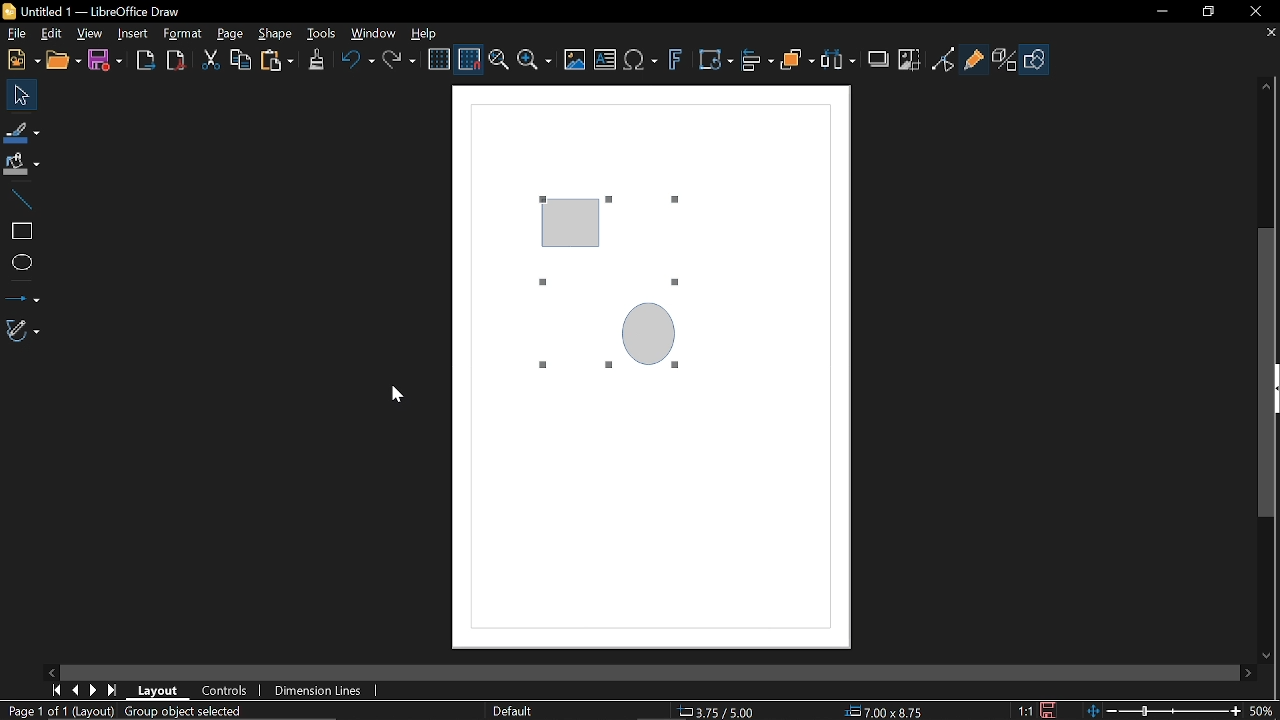  Describe the element at coordinates (230, 35) in the screenshot. I see `Page` at that location.